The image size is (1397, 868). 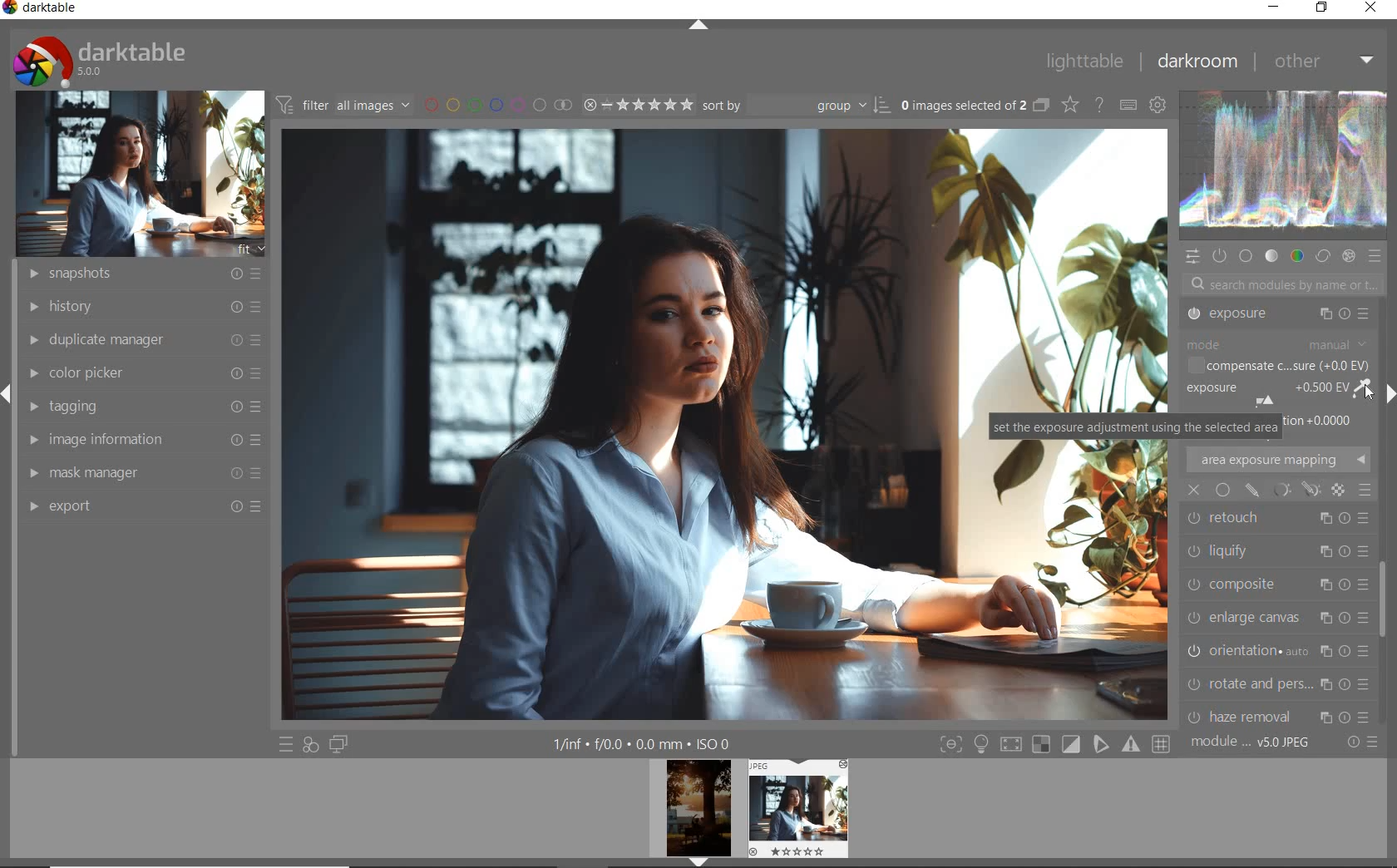 I want to click on FILTER BY IMAGE COLOR LABEL, so click(x=496, y=106).